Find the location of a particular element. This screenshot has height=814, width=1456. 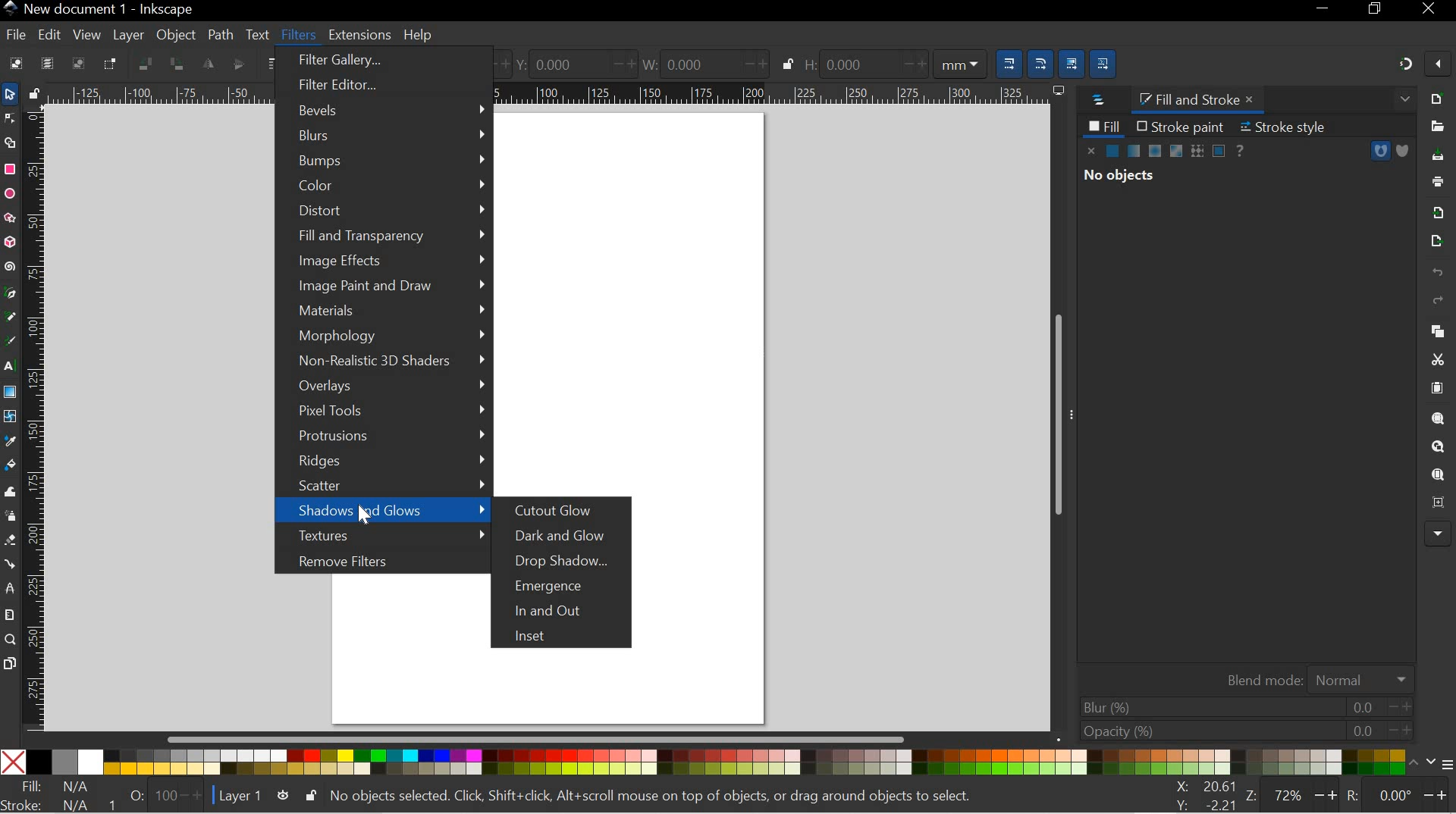

MATERIALS is located at coordinates (383, 312).